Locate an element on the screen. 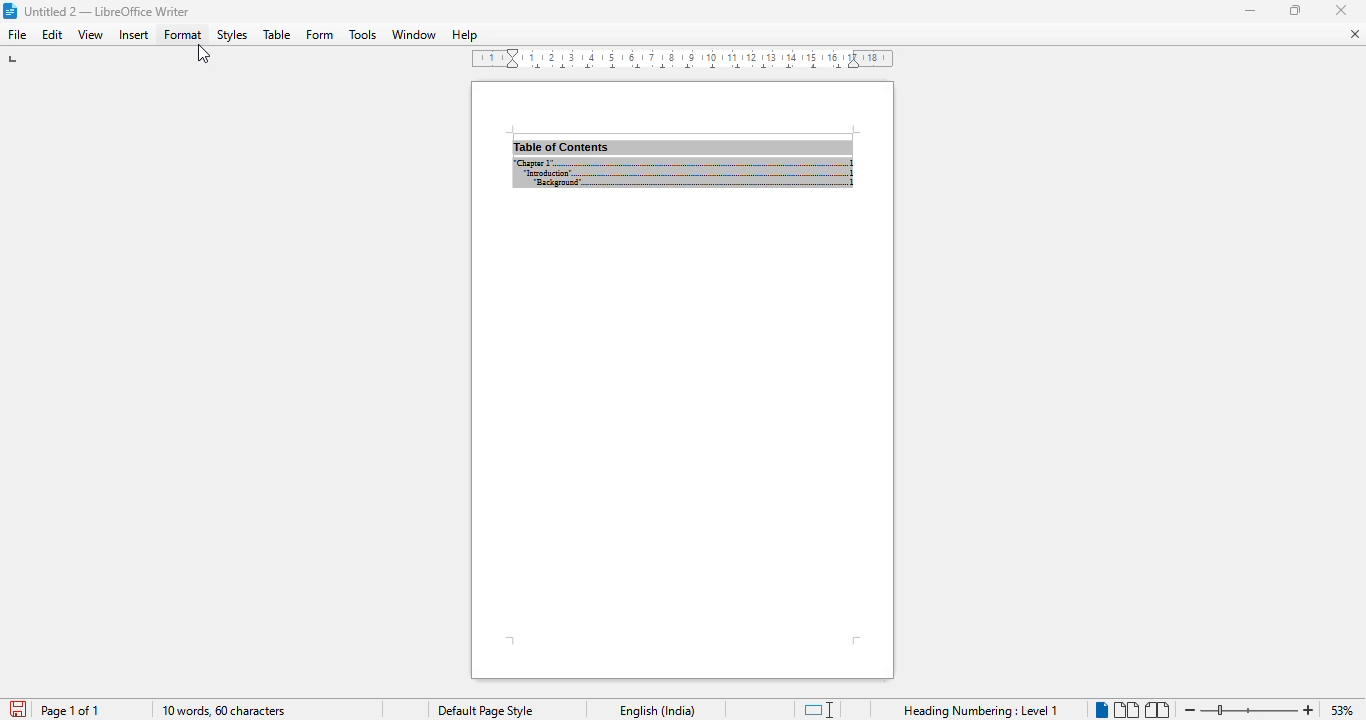 The height and width of the screenshot is (720, 1366). document is located at coordinates (683, 382).